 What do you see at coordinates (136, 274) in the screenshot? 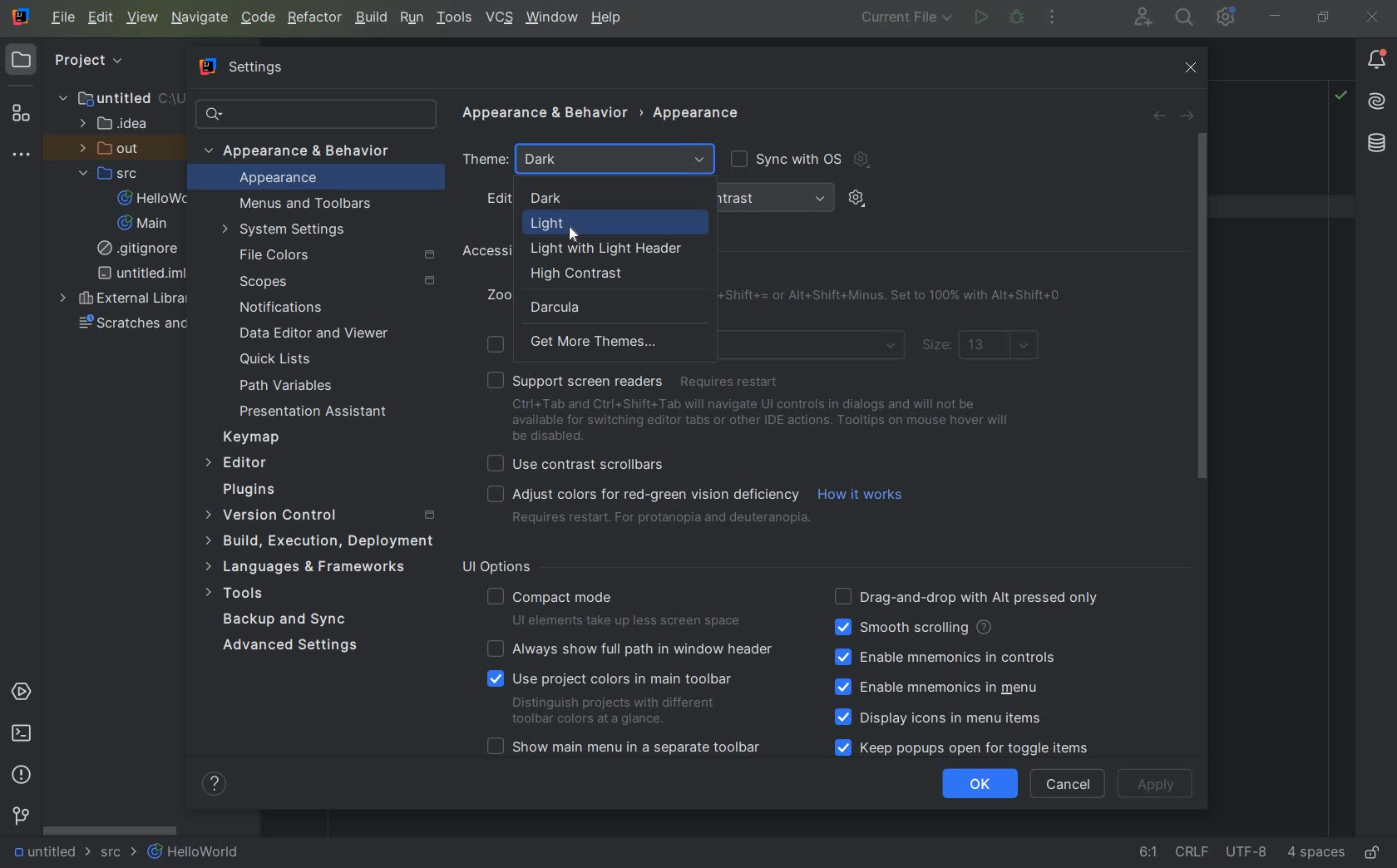
I see `UNTITLED.iml` at bounding box center [136, 274].